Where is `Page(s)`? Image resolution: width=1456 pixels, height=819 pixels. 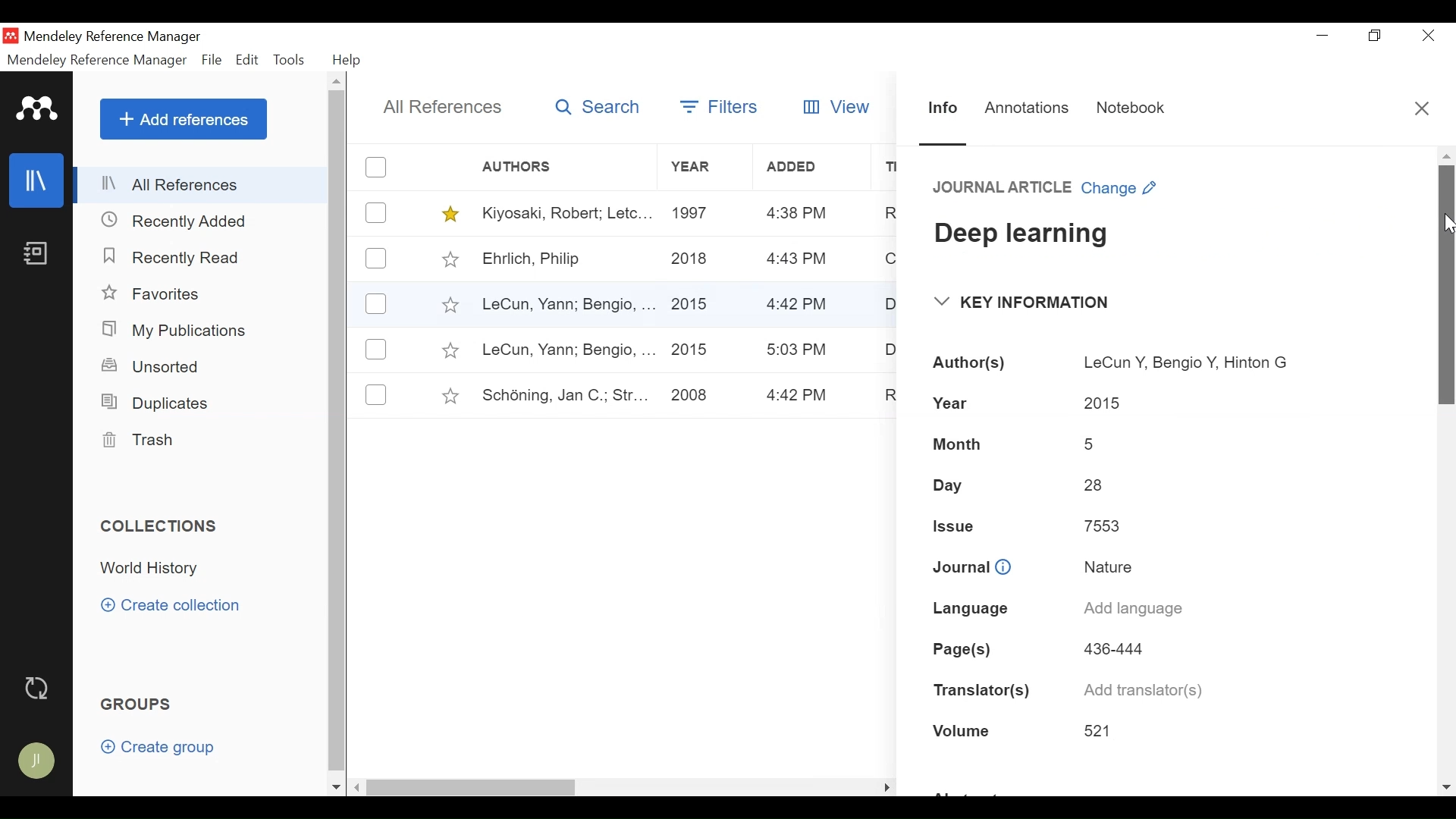
Page(s) is located at coordinates (968, 646).